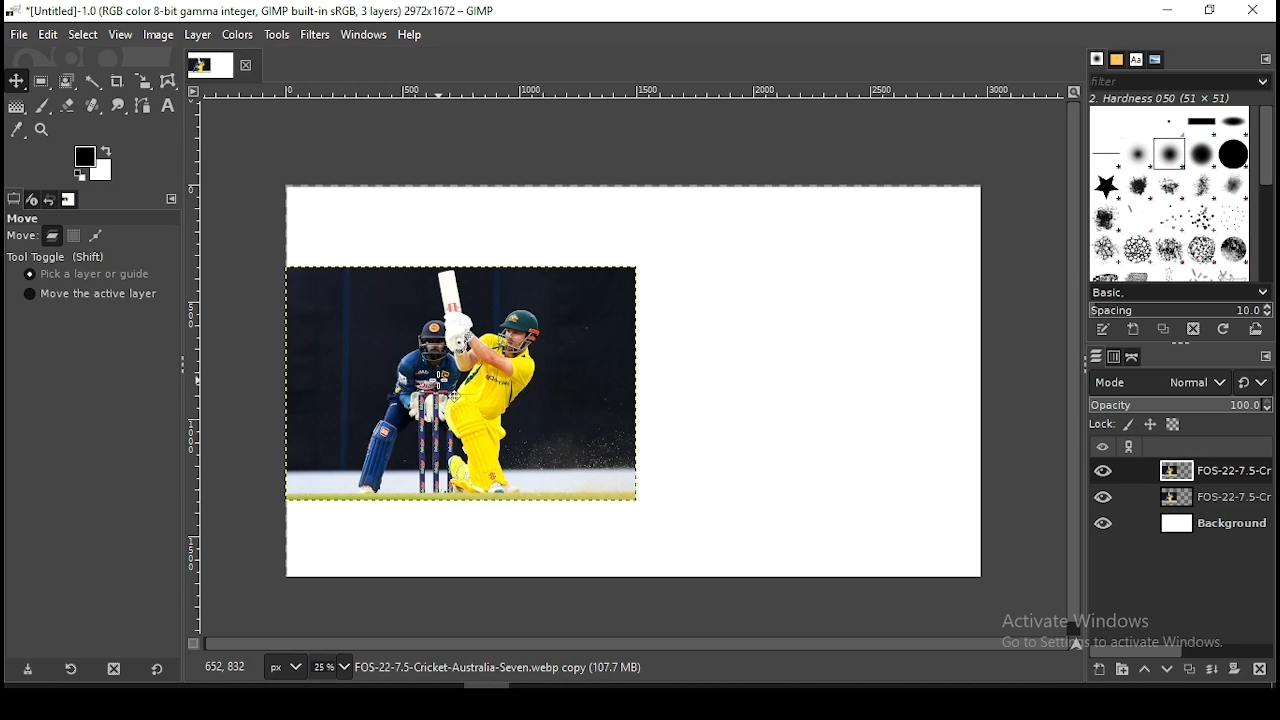  I want to click on gradient tool, so click(16, 108).